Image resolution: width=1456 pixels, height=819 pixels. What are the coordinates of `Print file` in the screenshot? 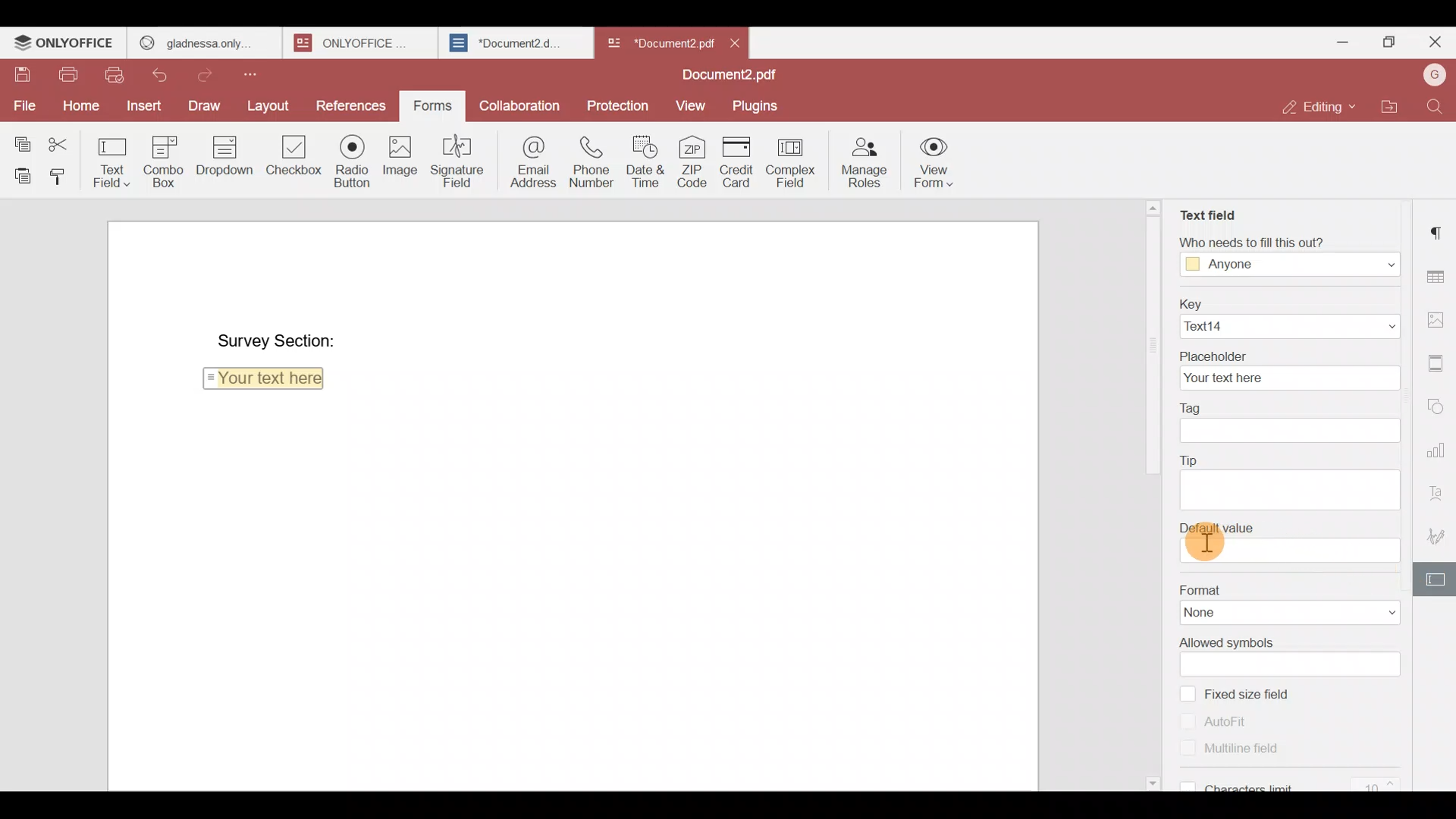 It's located at (63, 71).